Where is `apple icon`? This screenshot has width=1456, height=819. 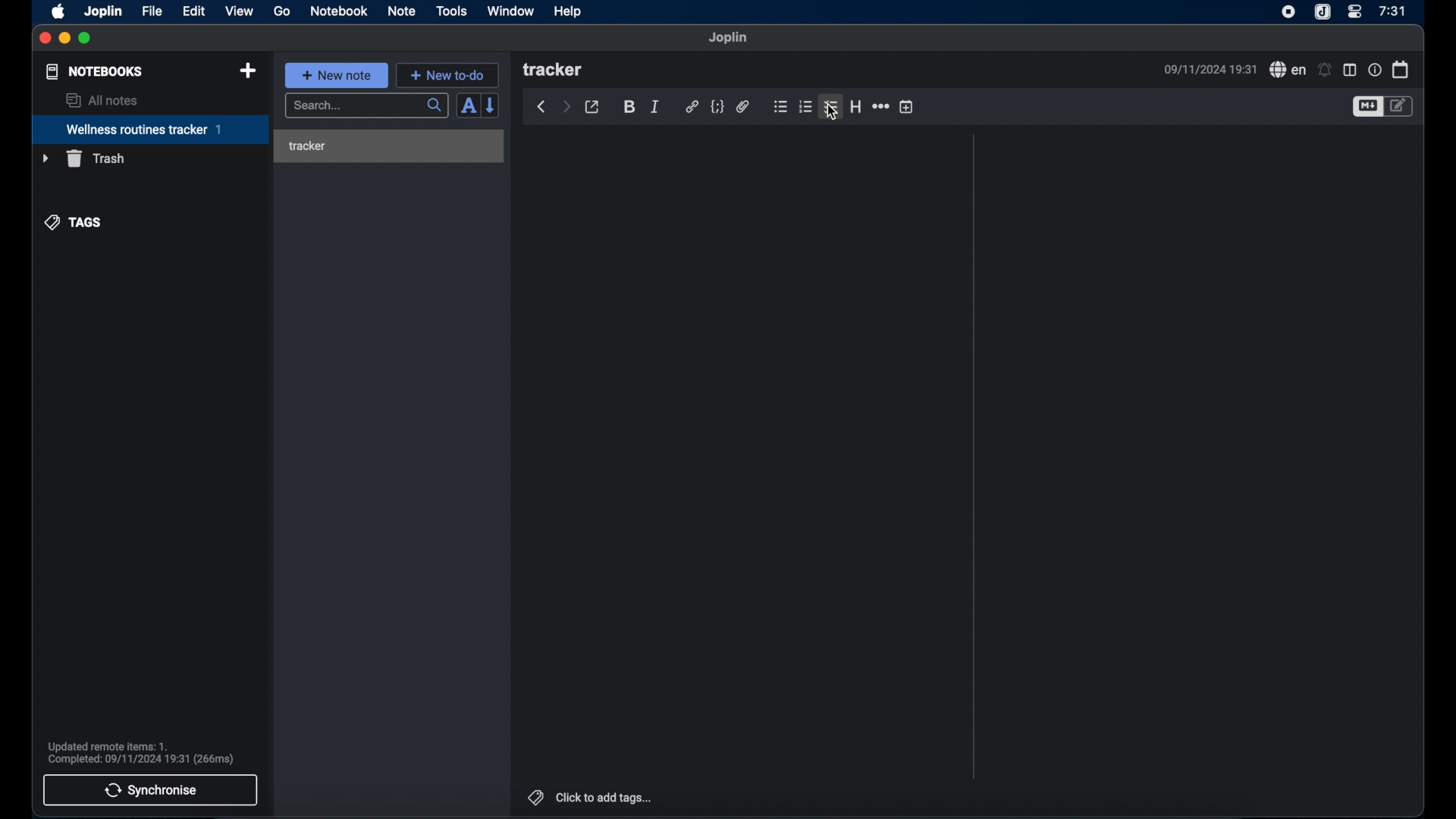 apple icon is located at coordinates (59, 12).